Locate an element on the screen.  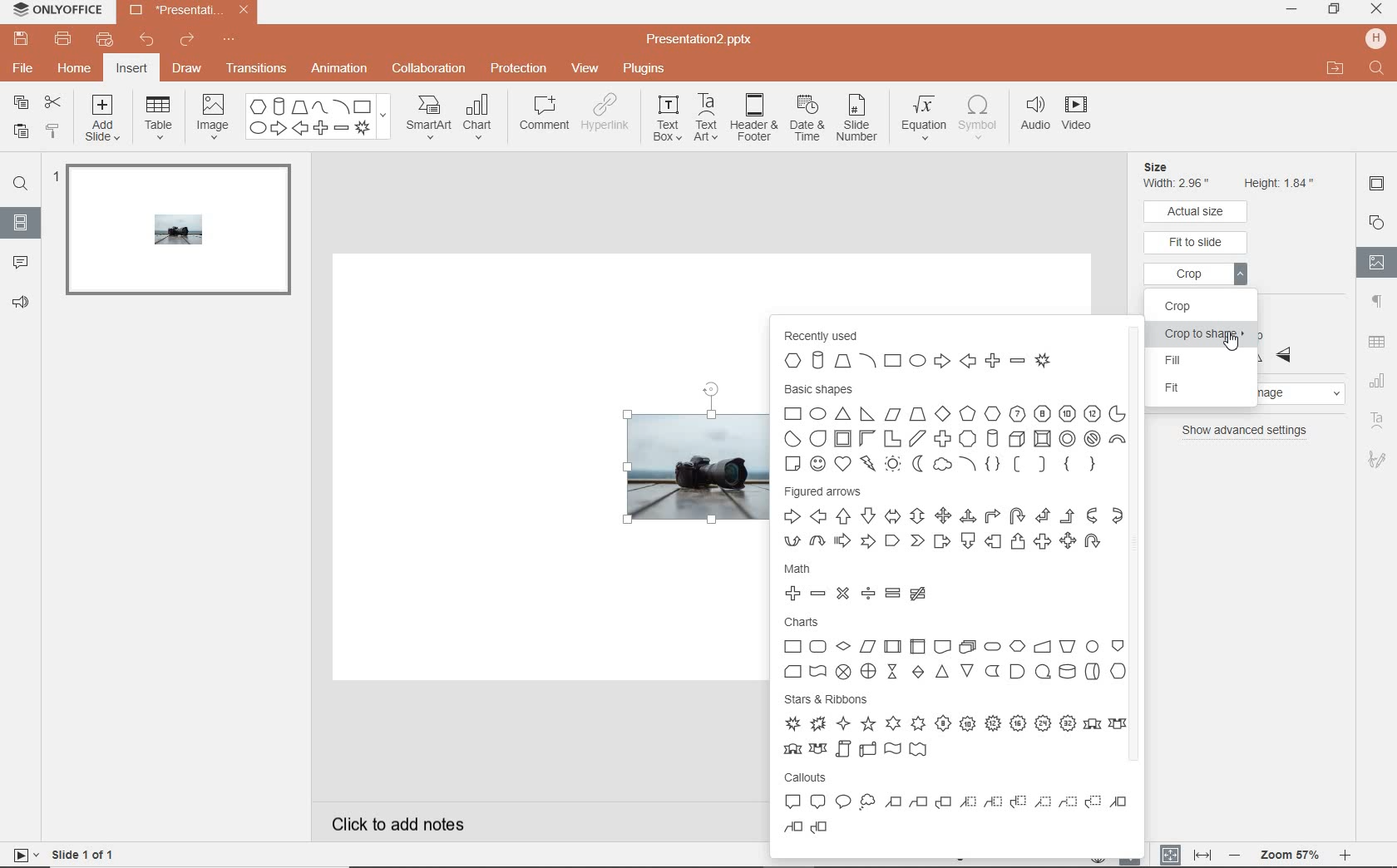
protection is located at coordinates (518, 70).